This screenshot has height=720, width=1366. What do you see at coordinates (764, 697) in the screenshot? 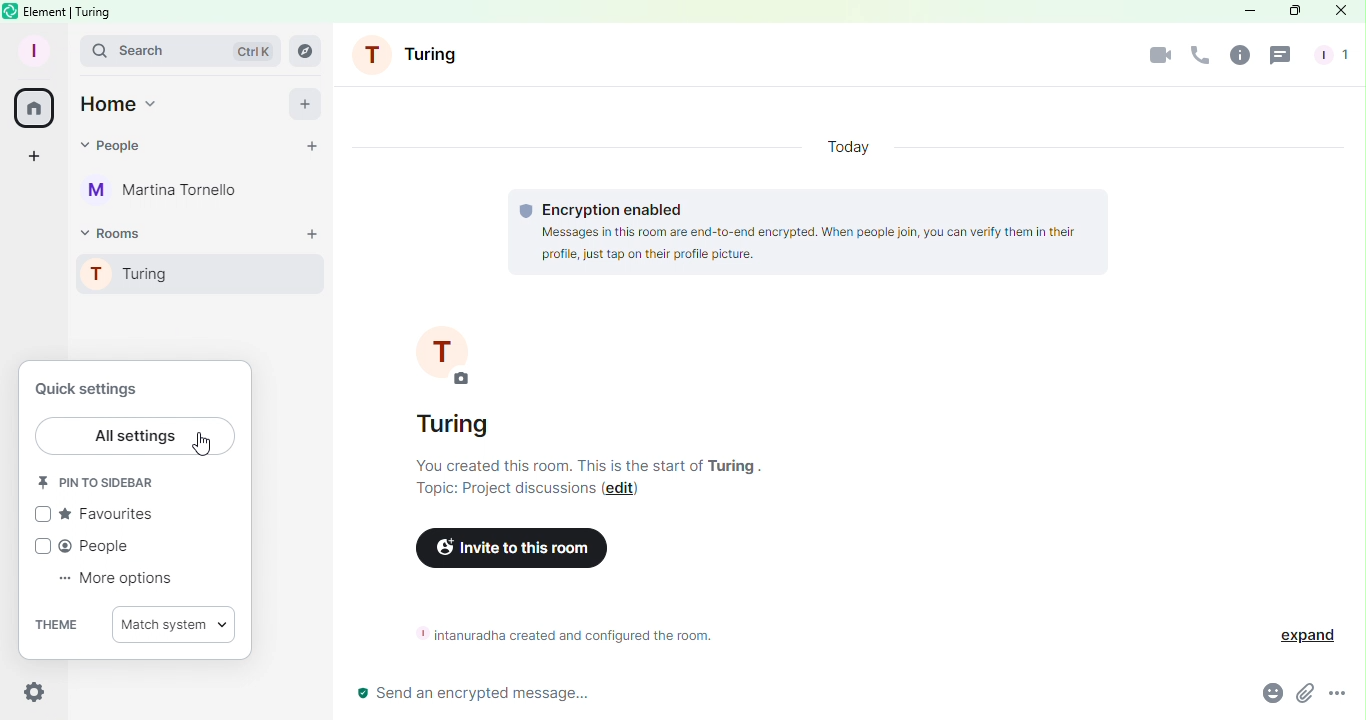
I see `Write message` at bounding box center [764, 697].